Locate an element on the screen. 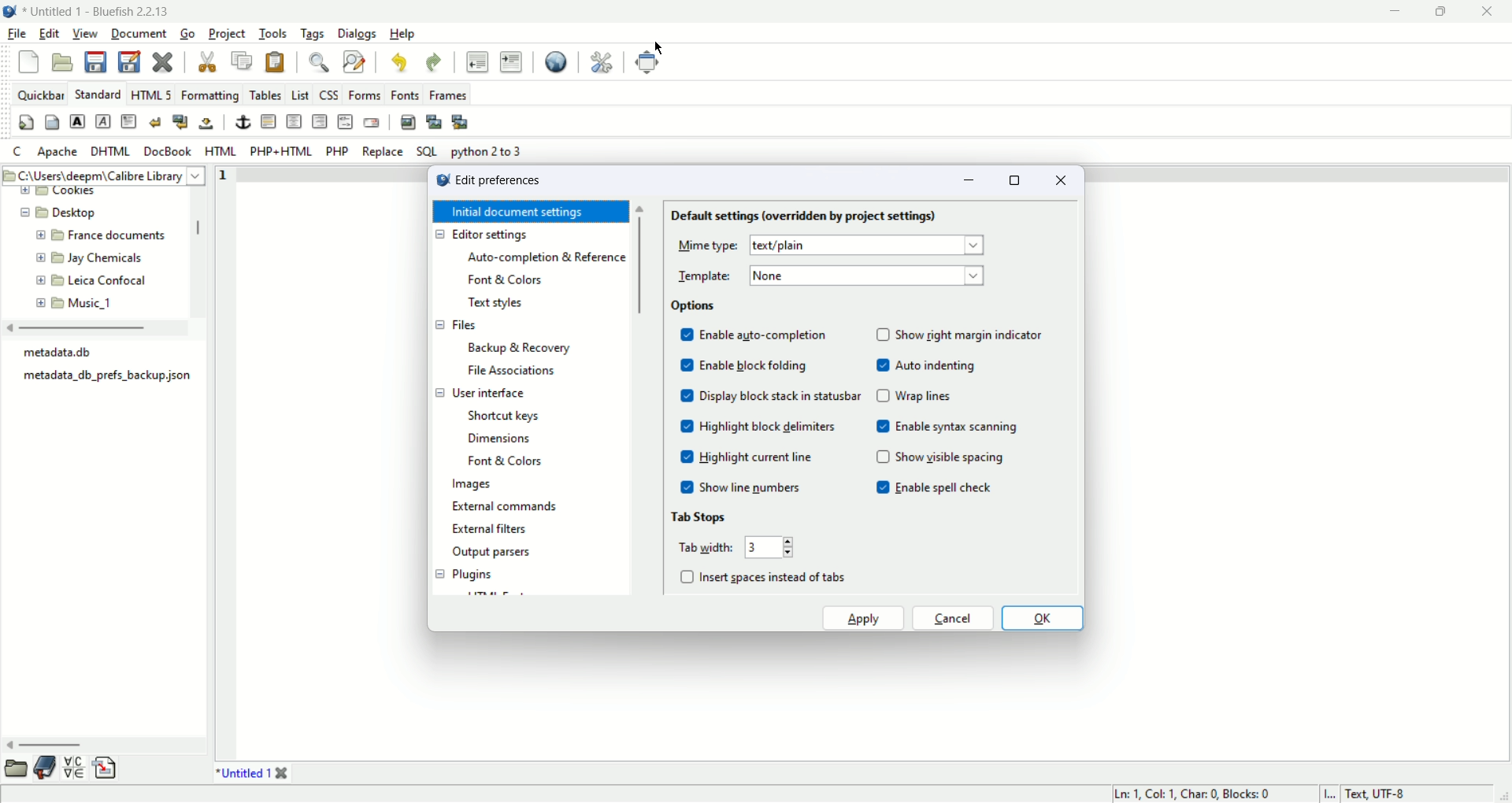  document is located at coordinates (139, 33).